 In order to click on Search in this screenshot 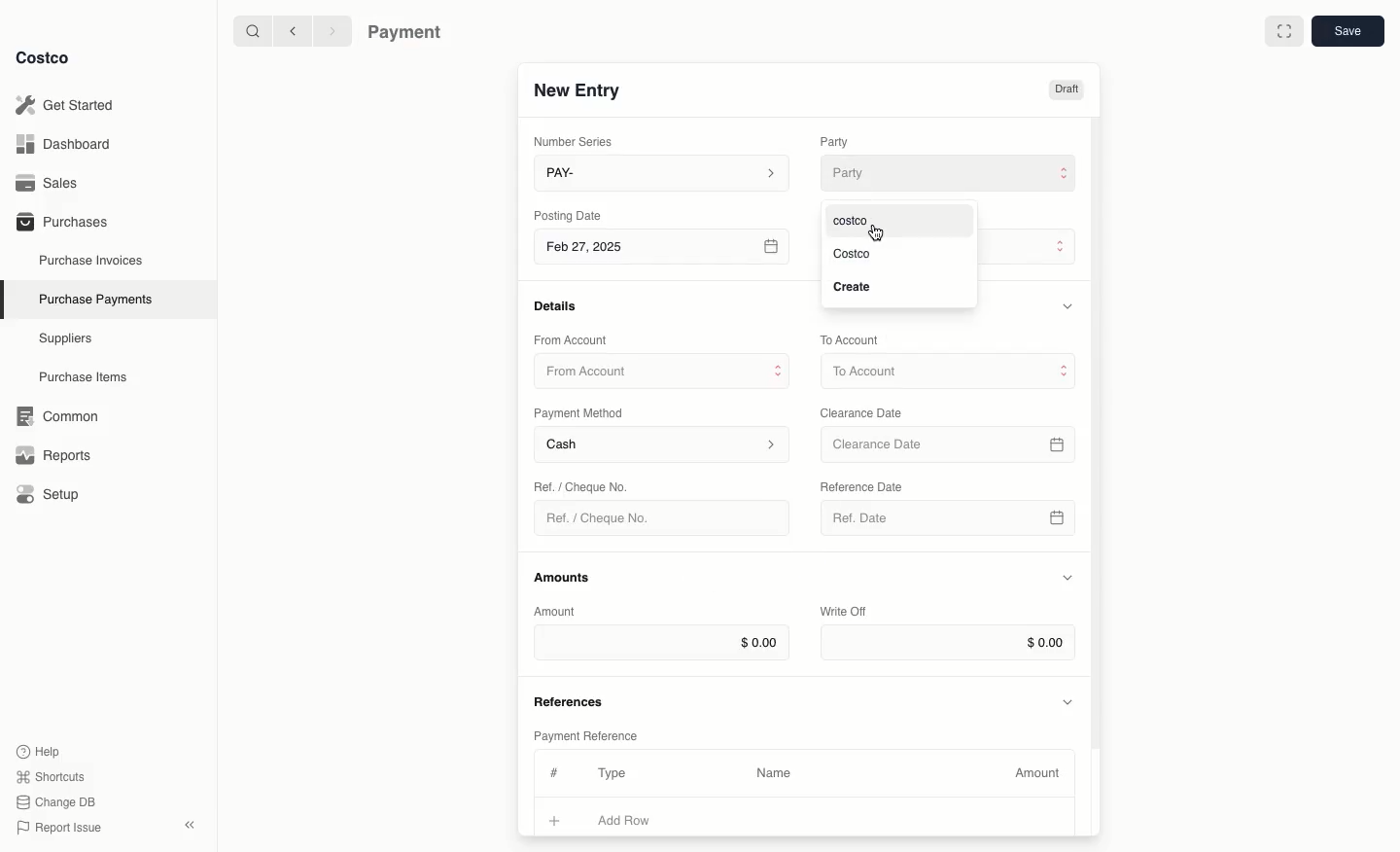, I will do `click(252, 29)`.